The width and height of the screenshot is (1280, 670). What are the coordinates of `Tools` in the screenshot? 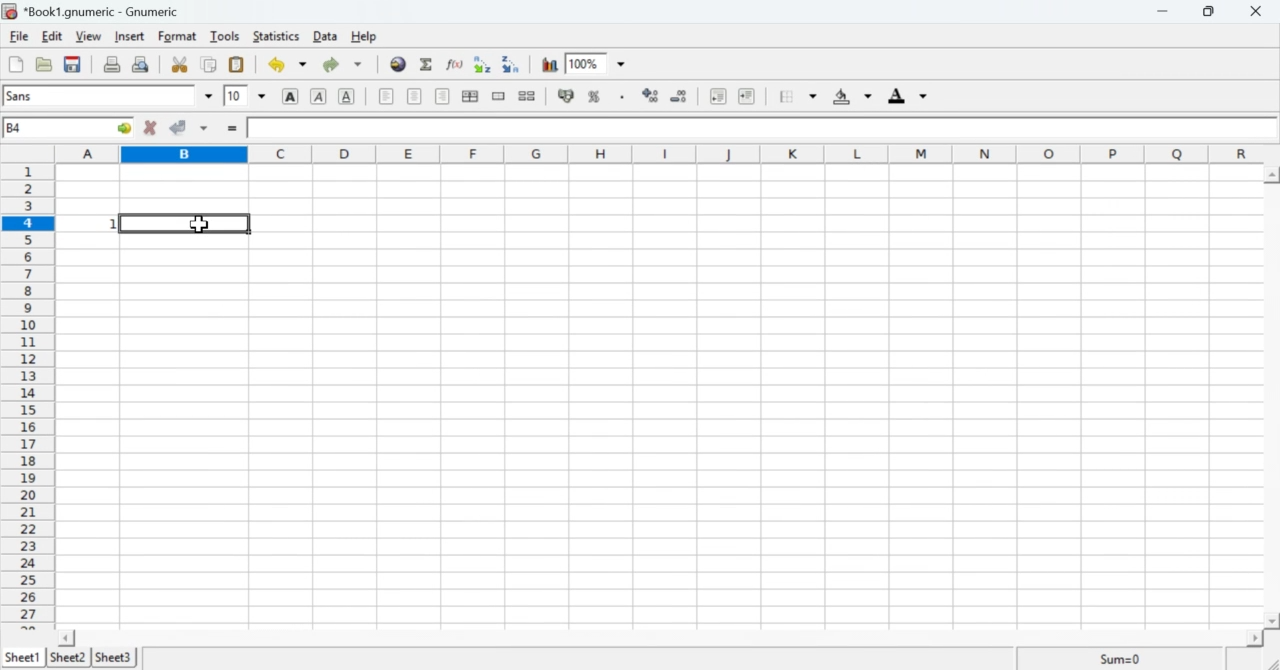 It's located at (226, 36).